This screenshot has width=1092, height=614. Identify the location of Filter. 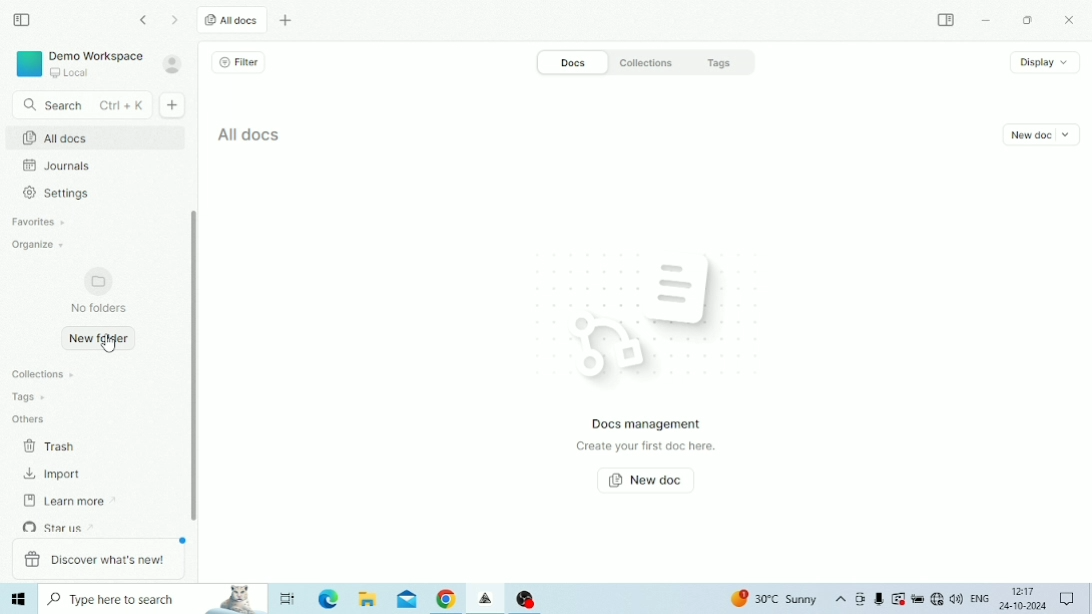
(243, 62).